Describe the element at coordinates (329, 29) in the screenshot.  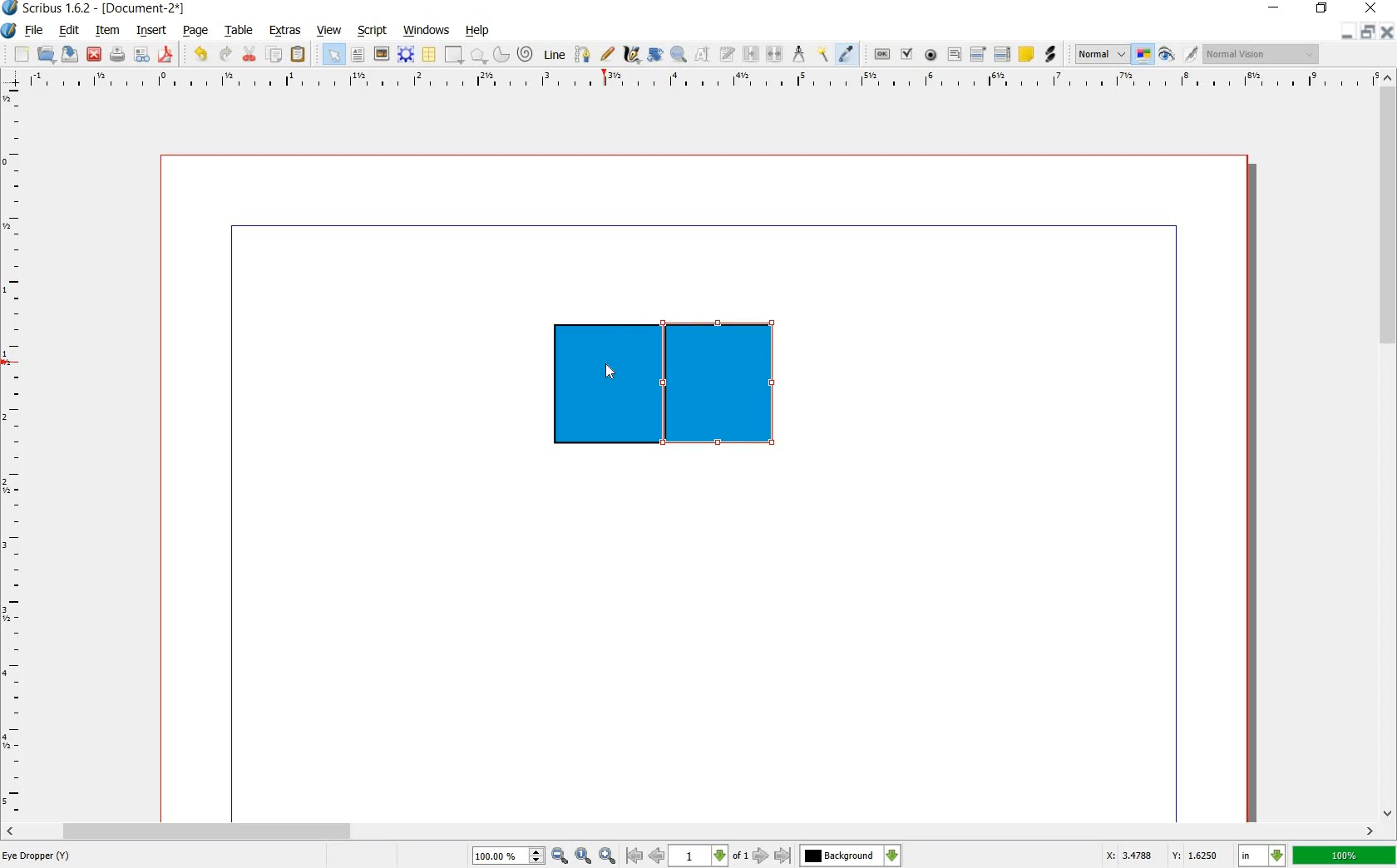
I see `view` at that location.